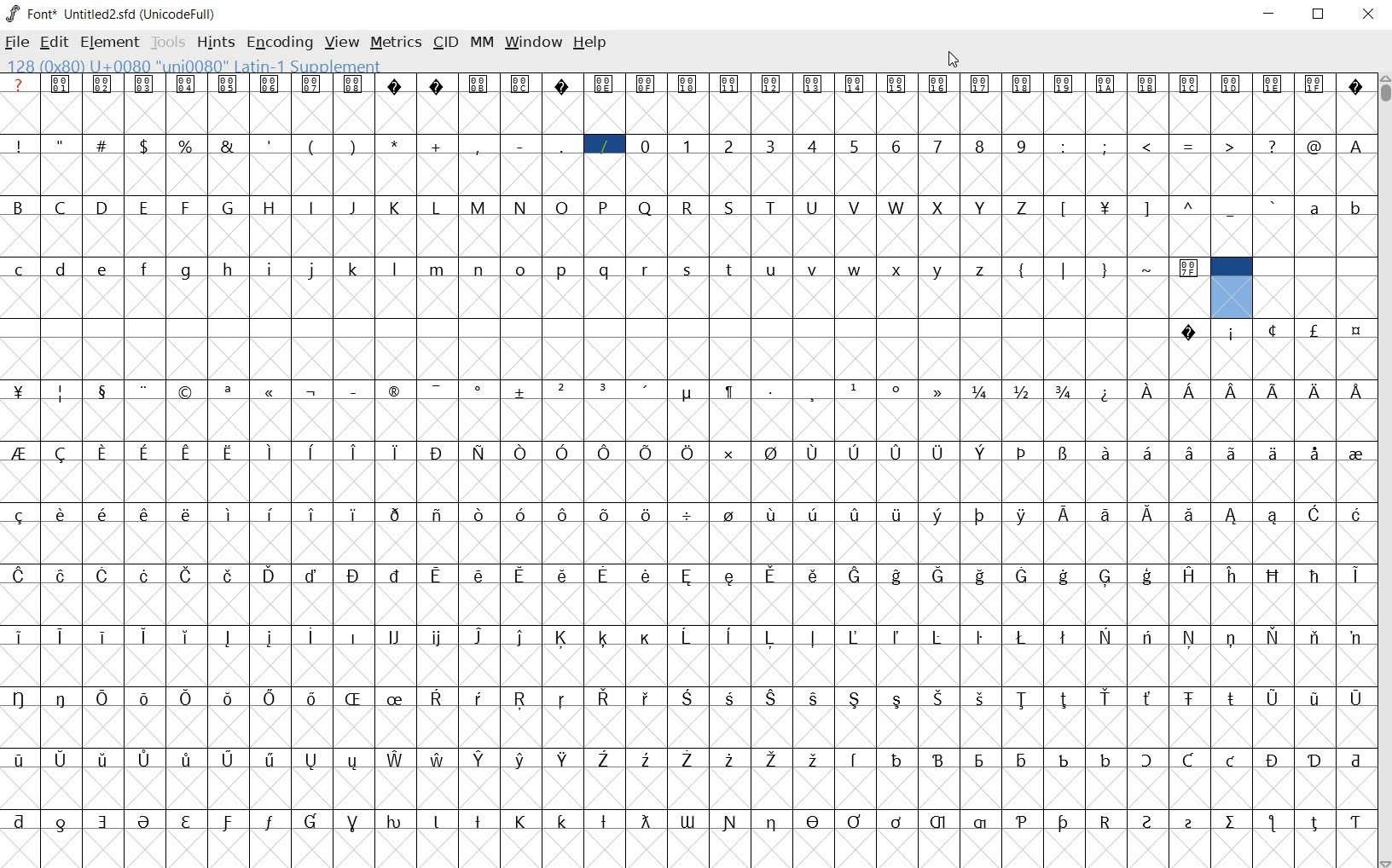 This screenshot has width=1392, height=868. Describe the element at coordinates (63, 513) in the screenshot. I see `Symbol` at that location.